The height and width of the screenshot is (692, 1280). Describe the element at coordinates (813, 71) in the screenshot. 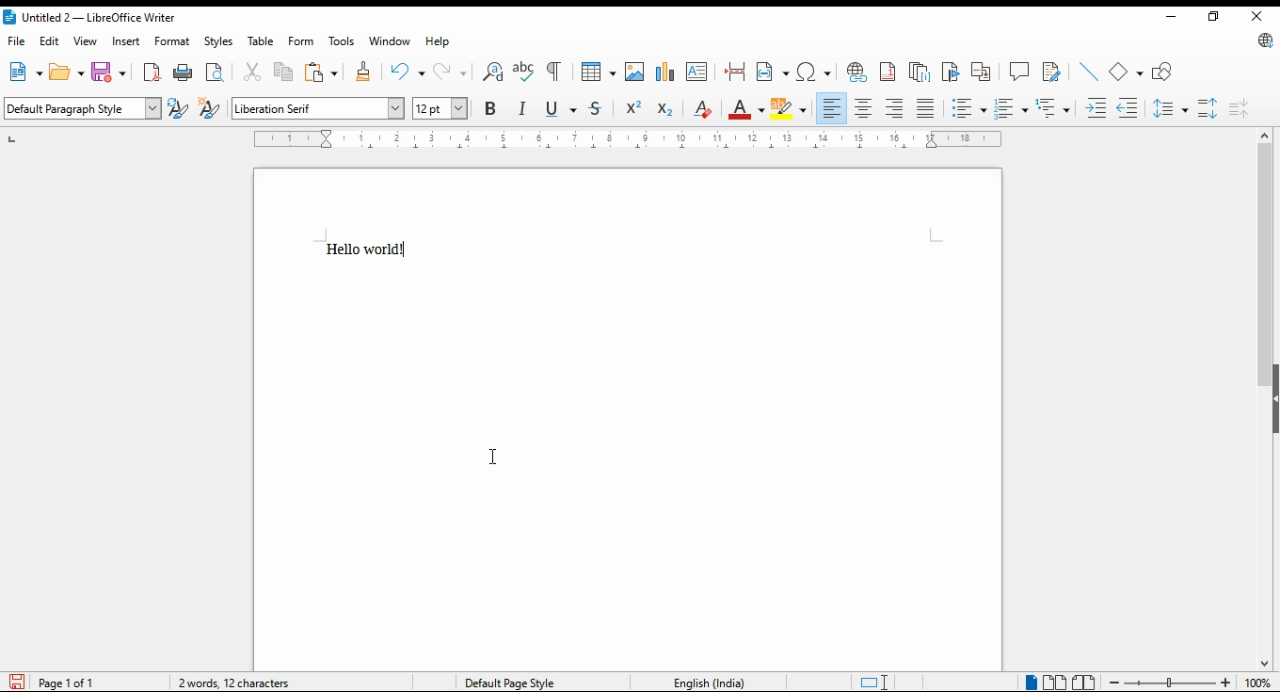

I see `insert special character` at that location.